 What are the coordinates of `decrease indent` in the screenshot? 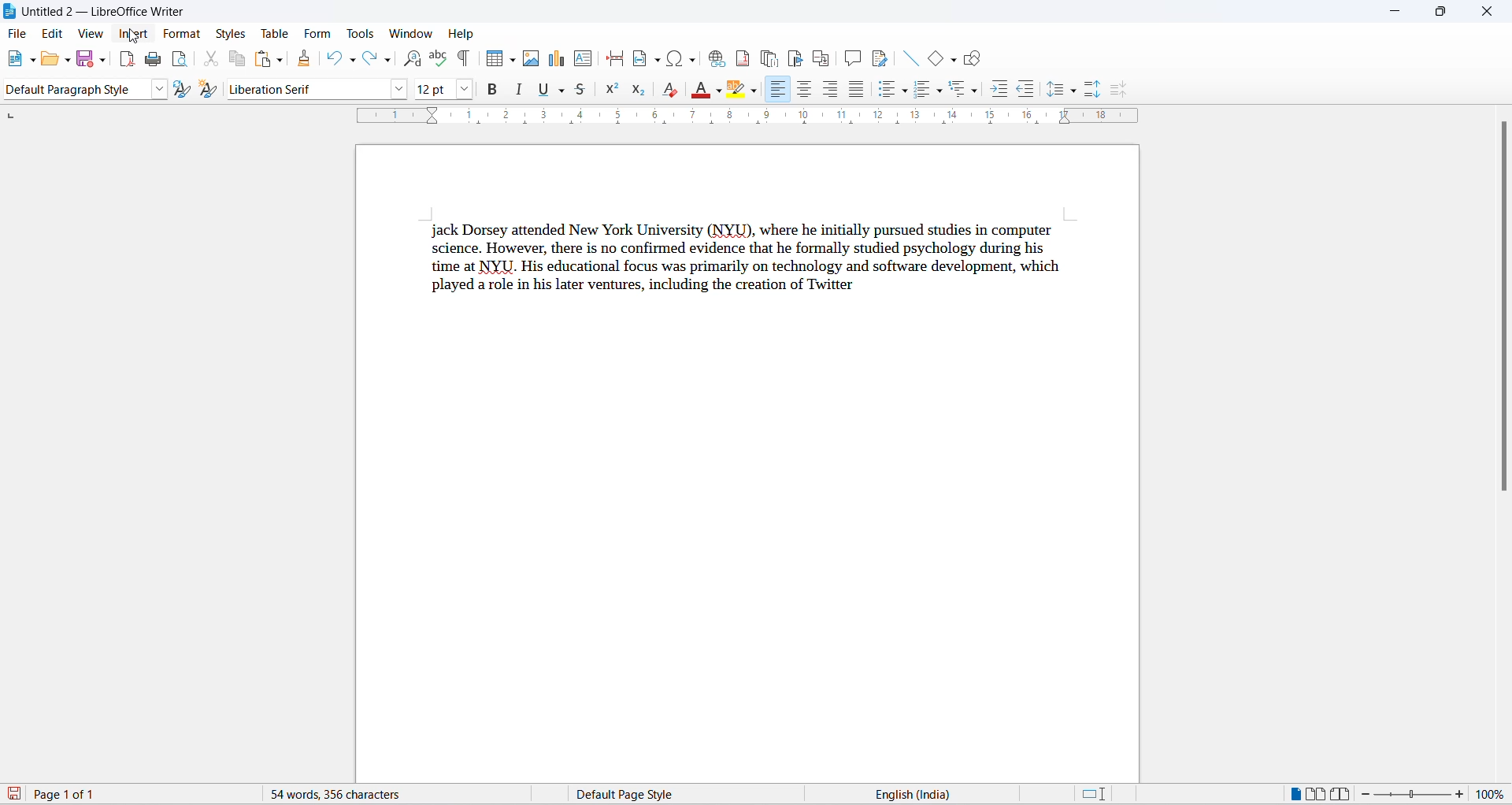 It's located at (1027, 91).